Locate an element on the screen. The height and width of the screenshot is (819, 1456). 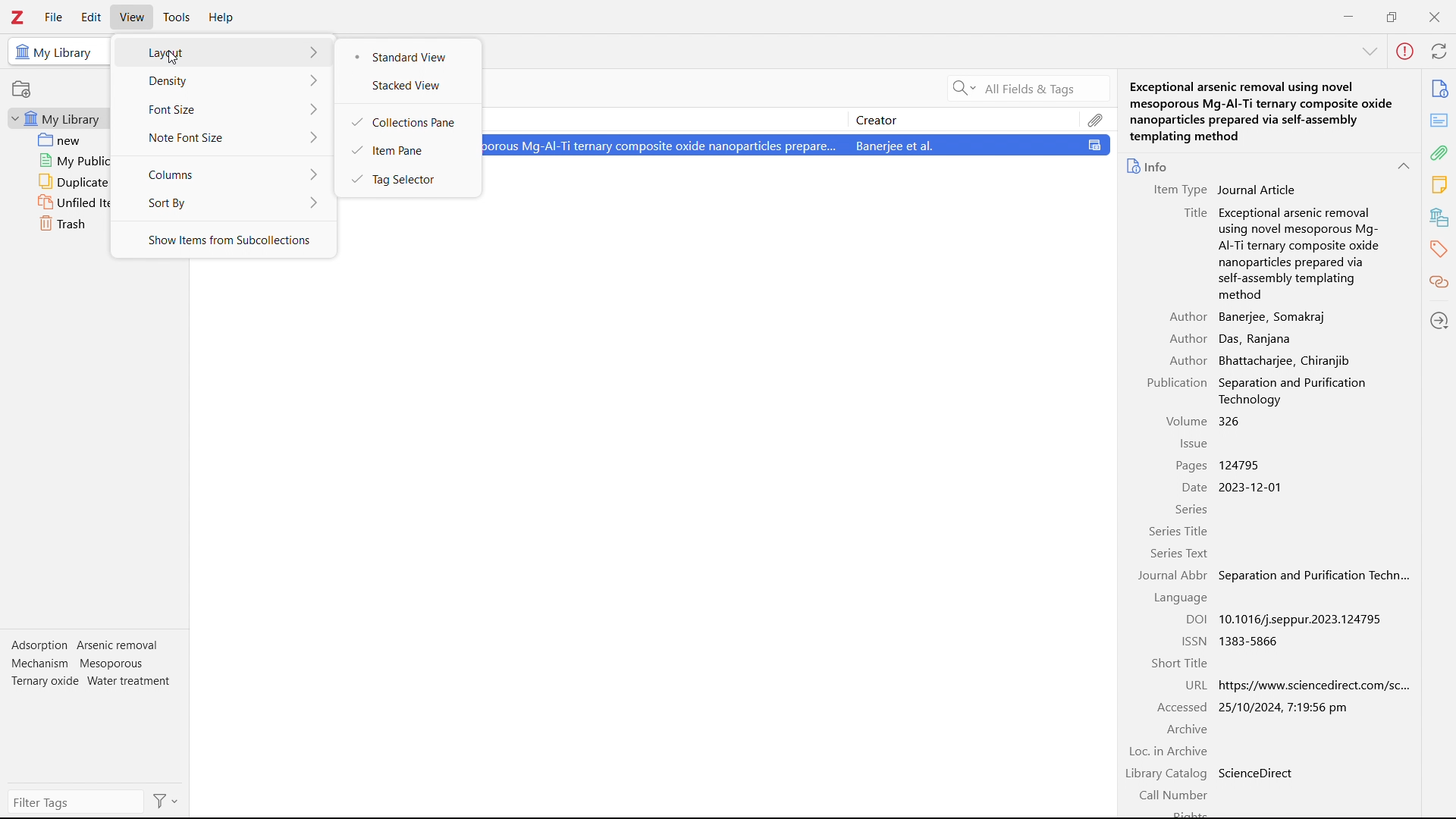
tags is located at coordinates (1439, 249).